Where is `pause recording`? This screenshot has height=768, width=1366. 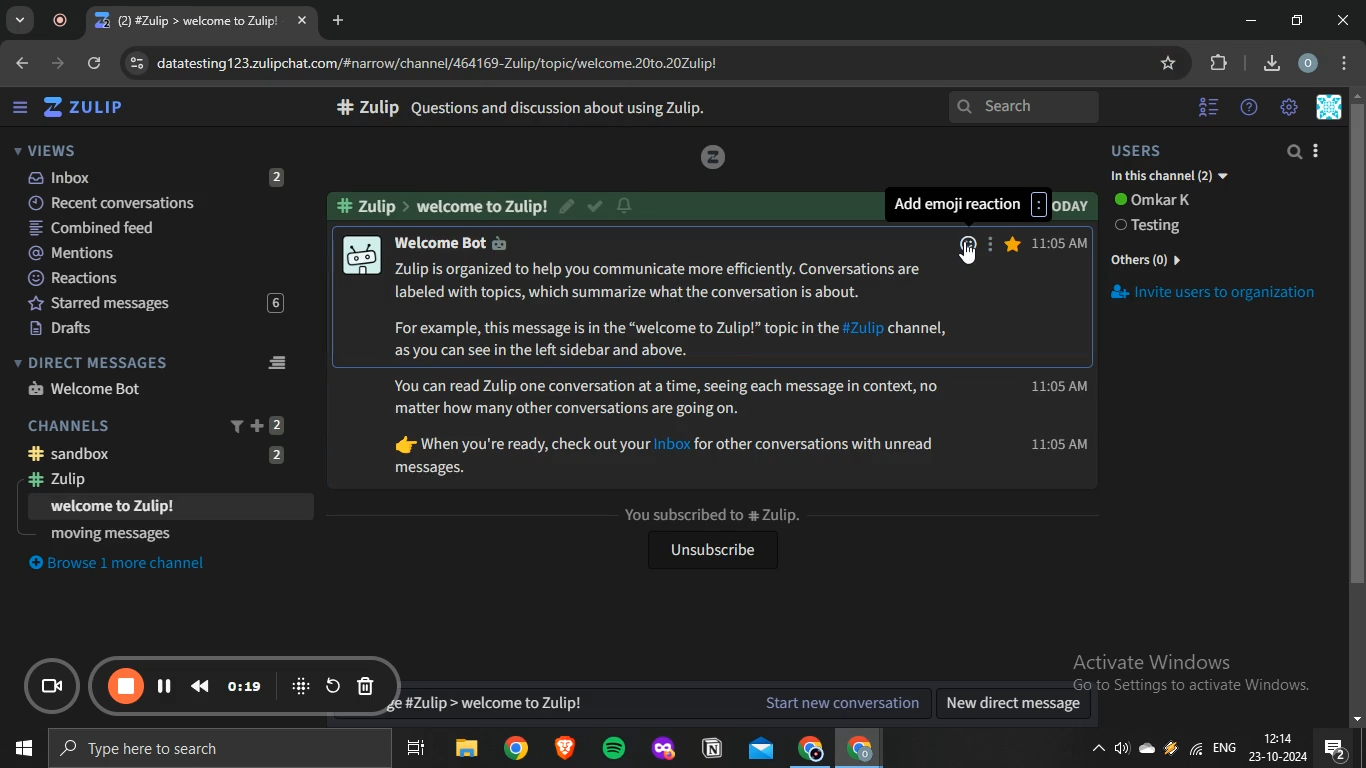 pause recording is located at coordinates (127, 687).